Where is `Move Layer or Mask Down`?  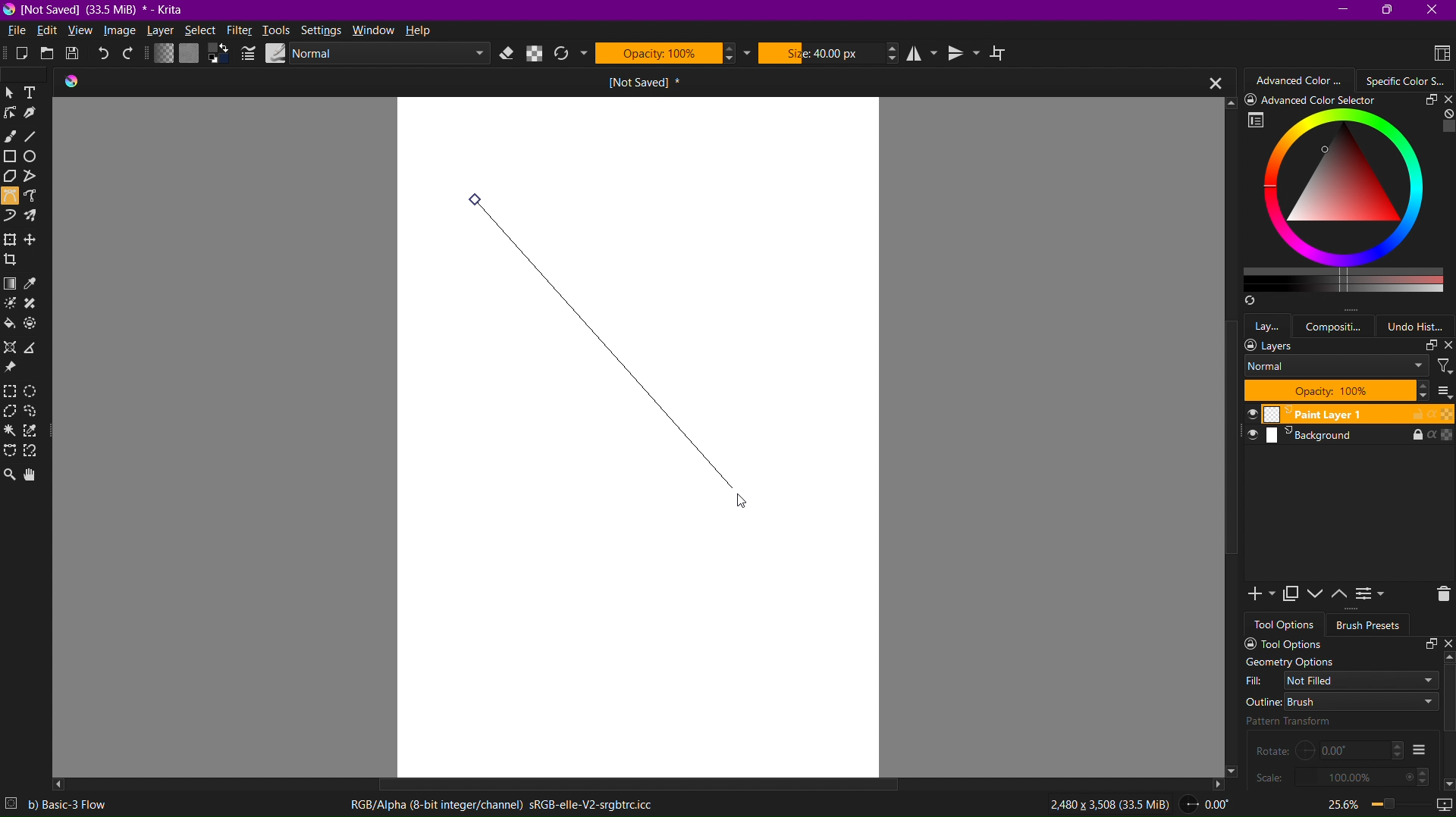
Move Layer or Mask Down is located at coordinates (1318, 594).